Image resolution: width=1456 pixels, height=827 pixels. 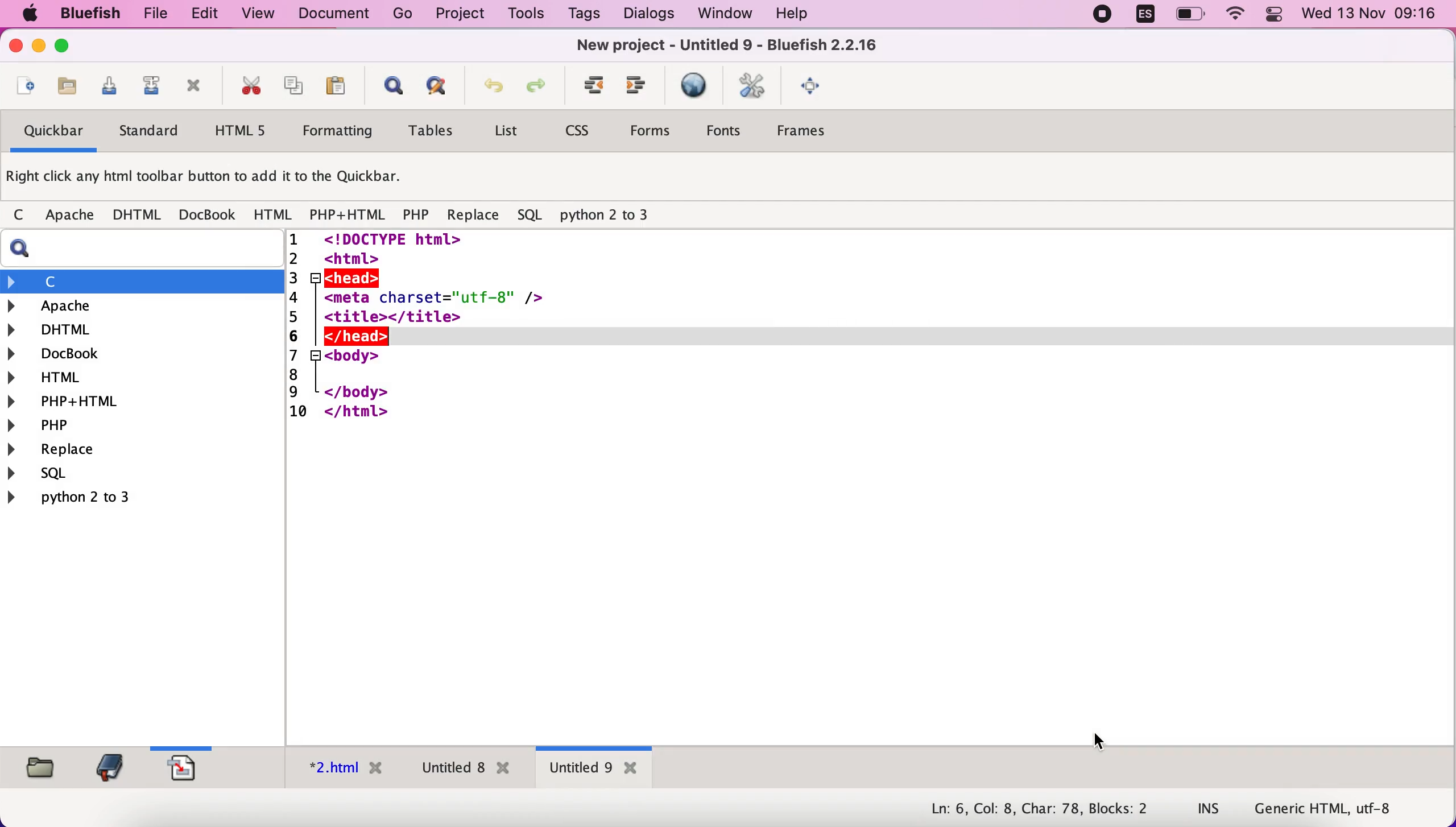 What do you see at coordinates (63, 48) in the screenshot?
I see `maximize` at bounding box center [63, 48].